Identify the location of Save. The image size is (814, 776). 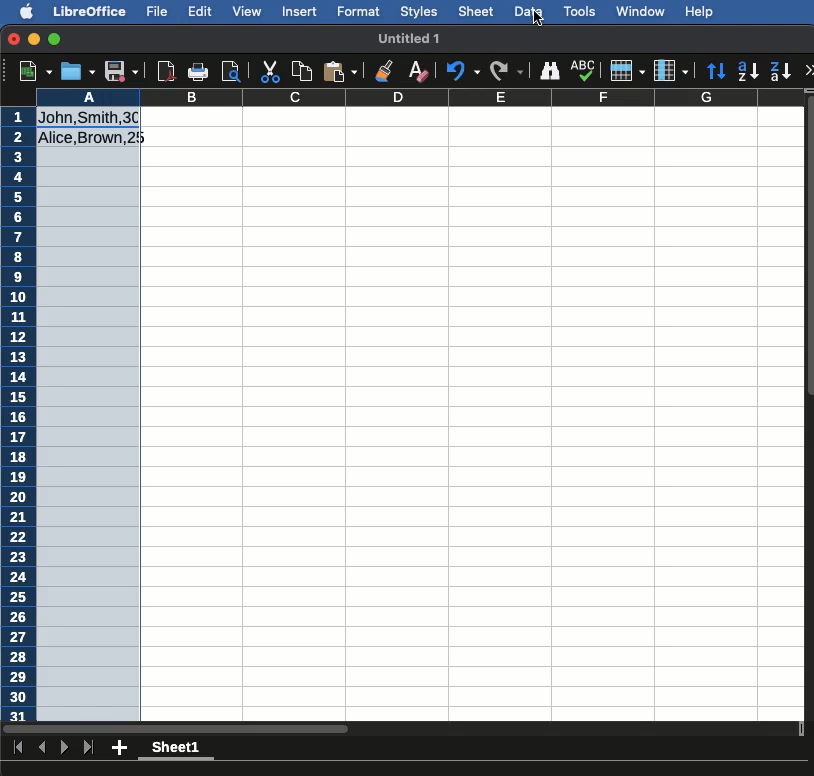
(122, 69).